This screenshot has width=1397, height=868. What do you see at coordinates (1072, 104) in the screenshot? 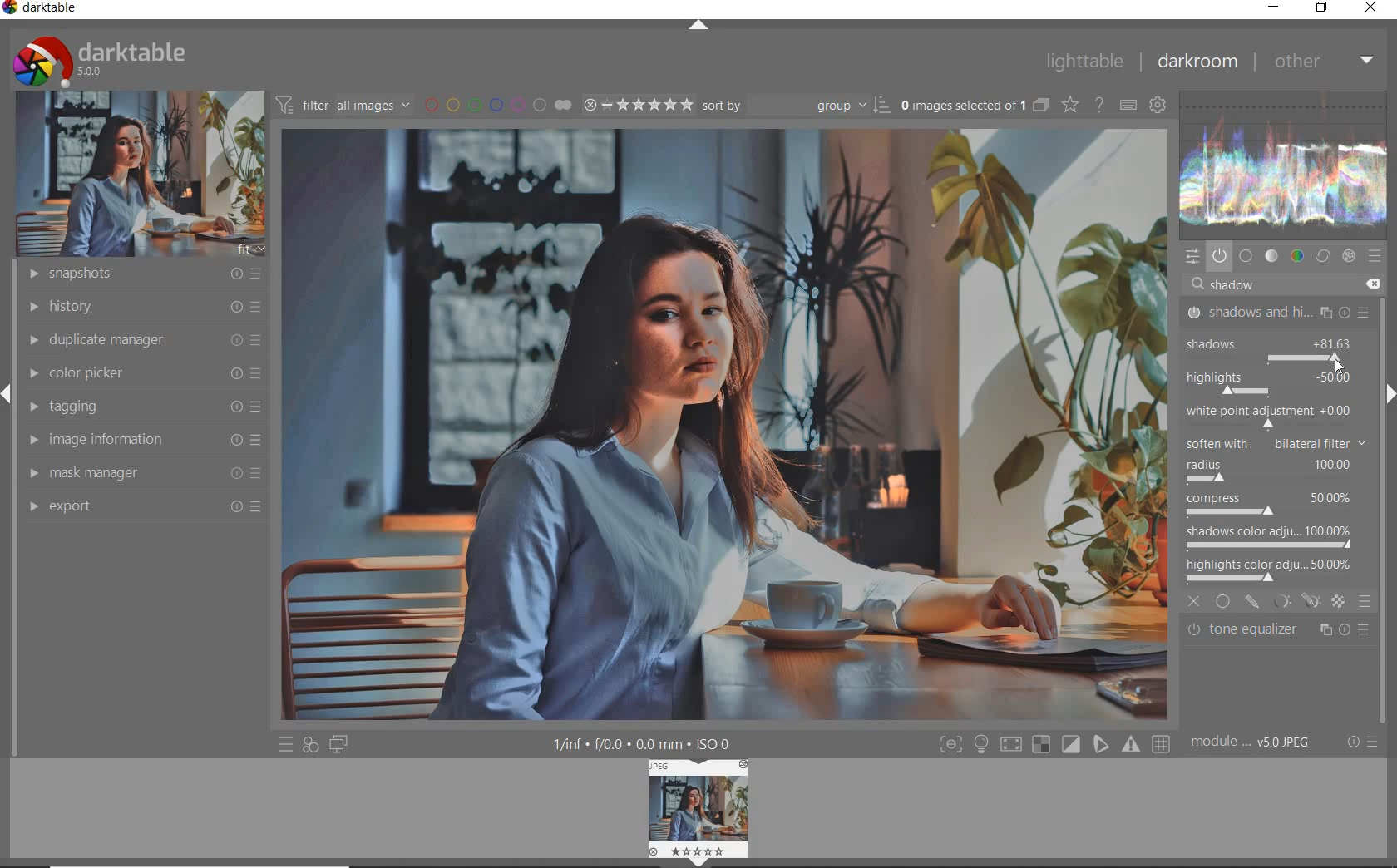
I see `change type of overlays` at bounding box center [1072, 104].